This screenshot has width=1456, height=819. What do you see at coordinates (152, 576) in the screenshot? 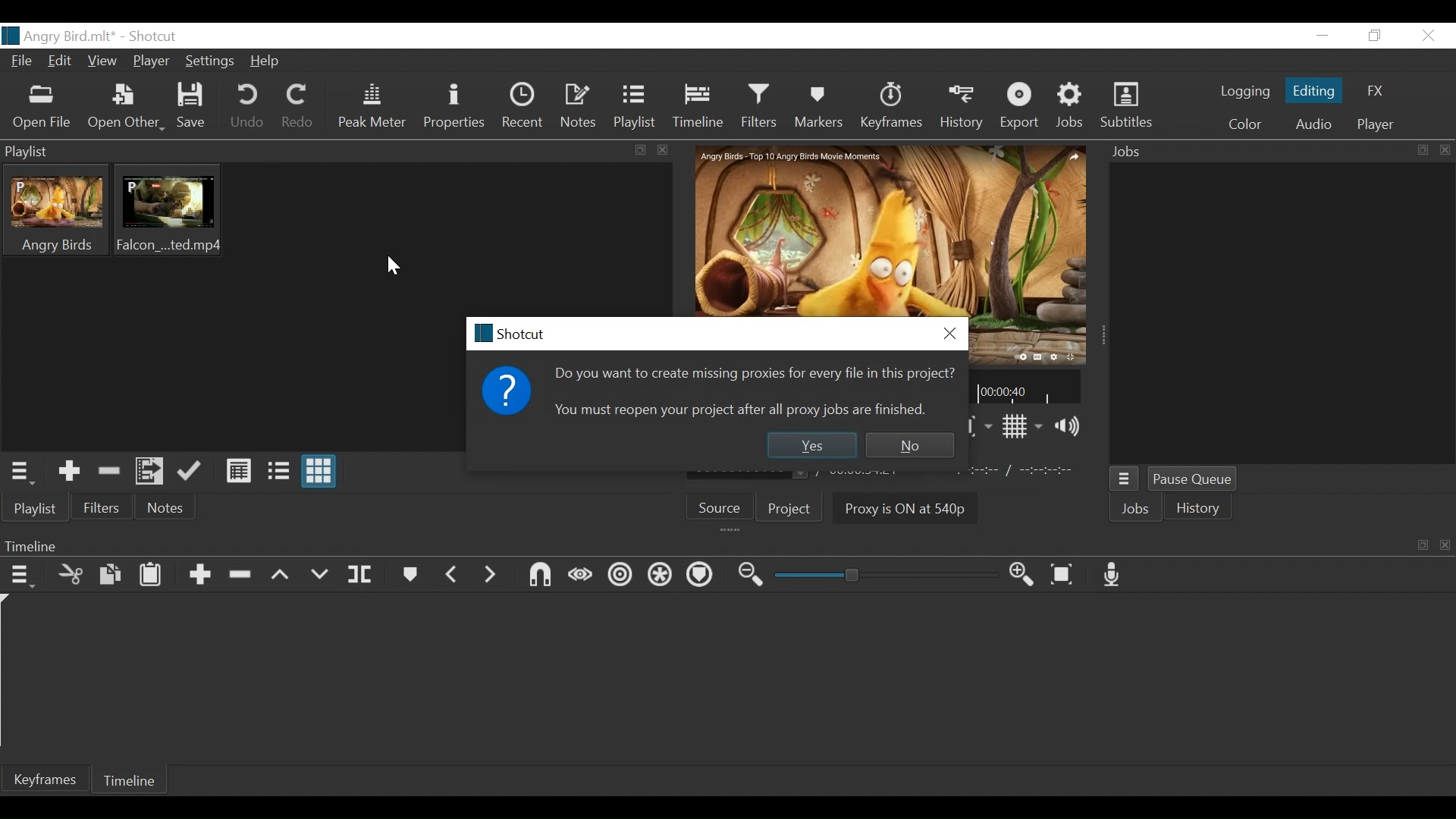
I see `Paste` at bounding box center [152, 576].